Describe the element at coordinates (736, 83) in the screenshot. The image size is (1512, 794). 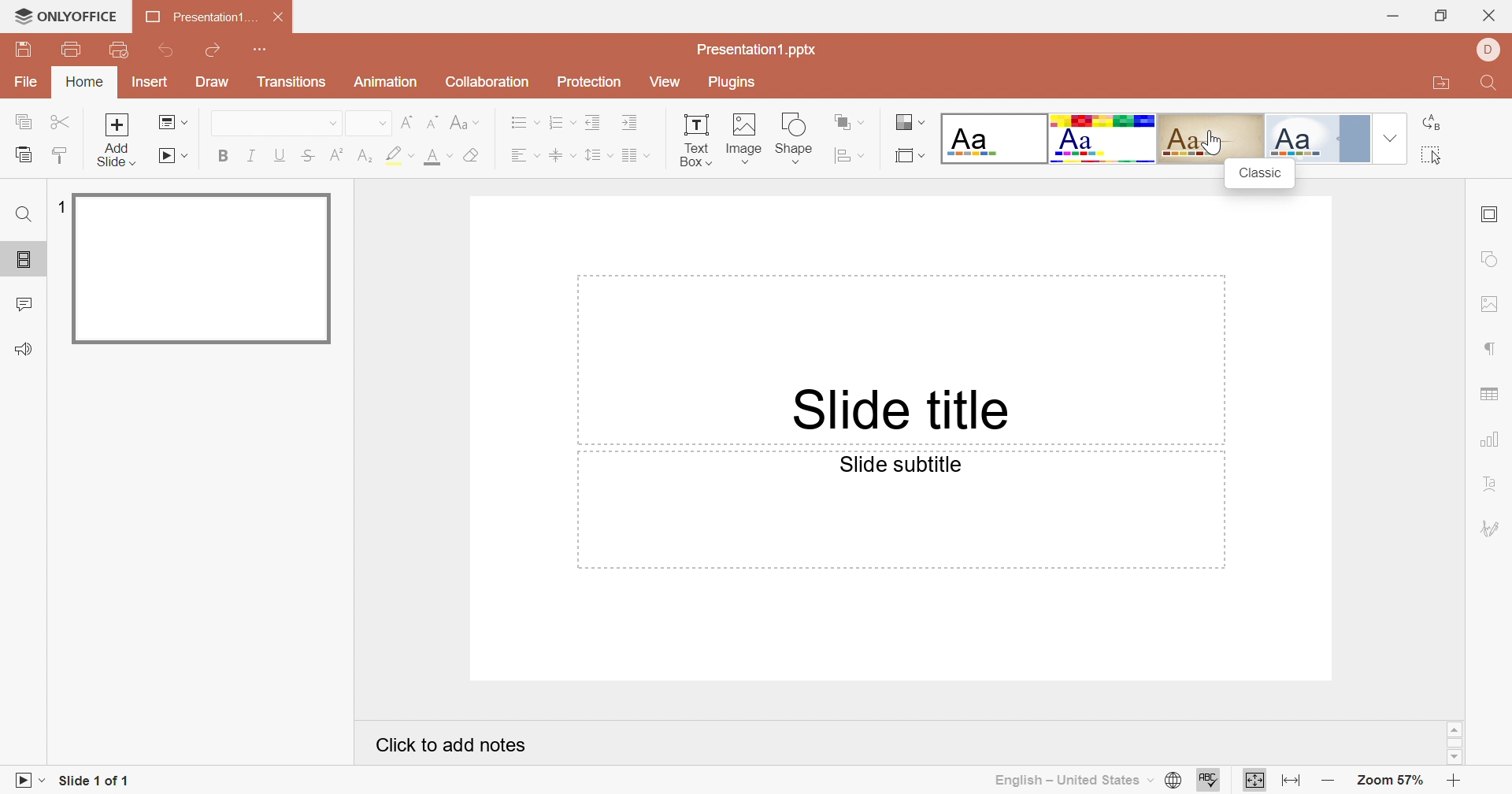
I see `Plugins` at that location.